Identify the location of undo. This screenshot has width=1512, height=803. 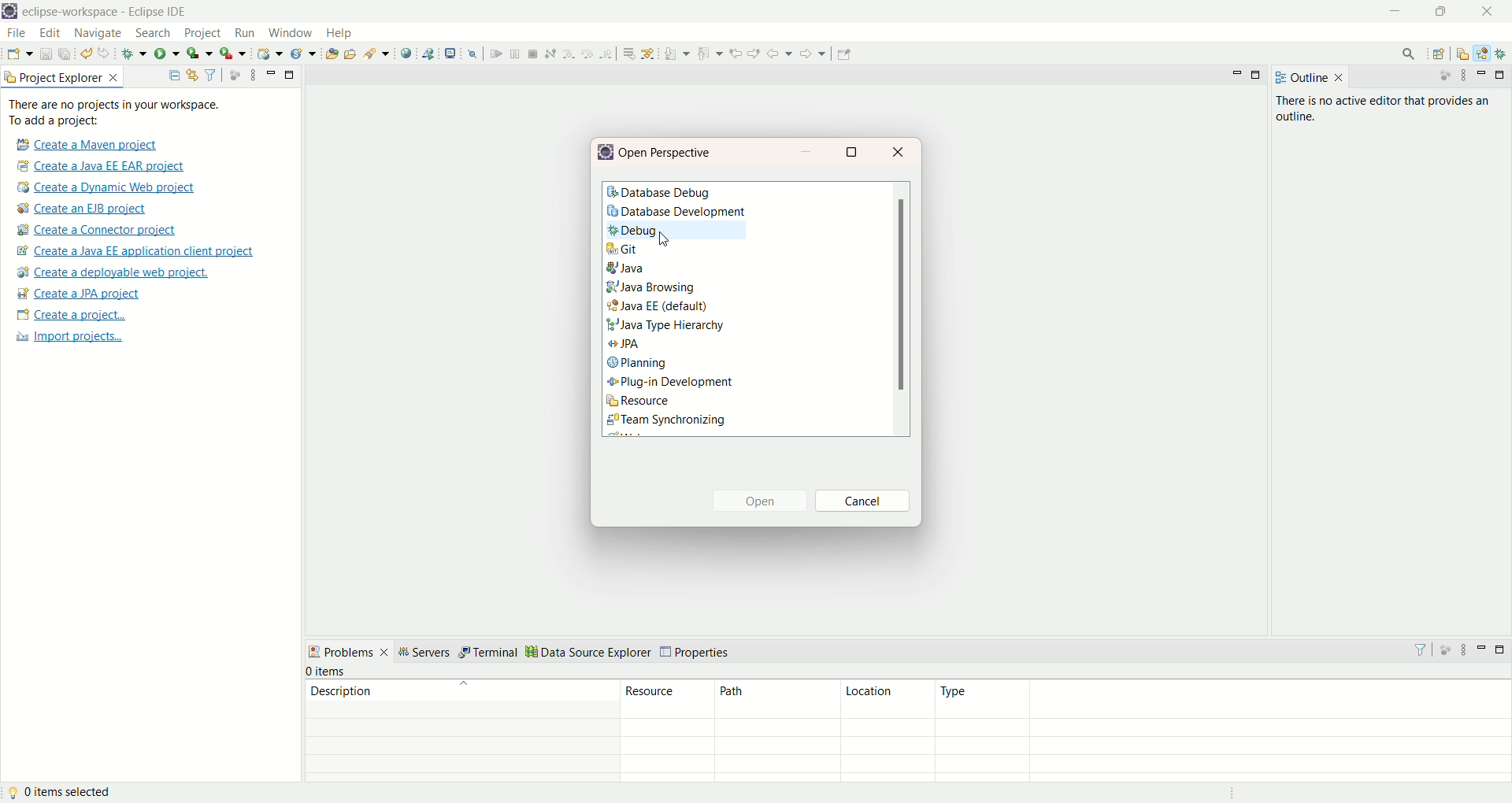
(86, 54).